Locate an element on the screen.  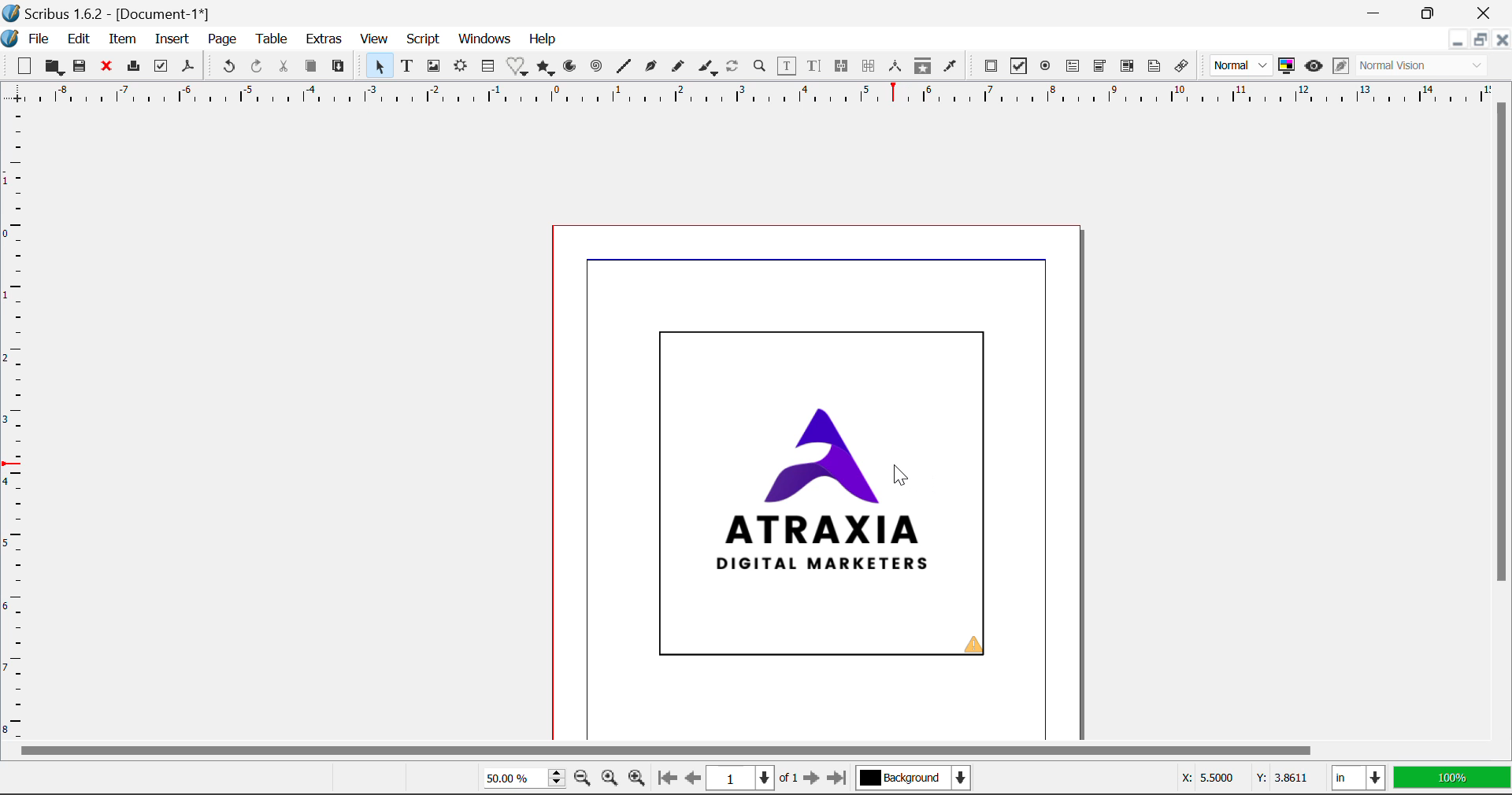
Edit Contents of Frame is located at coordinates (788, 68).